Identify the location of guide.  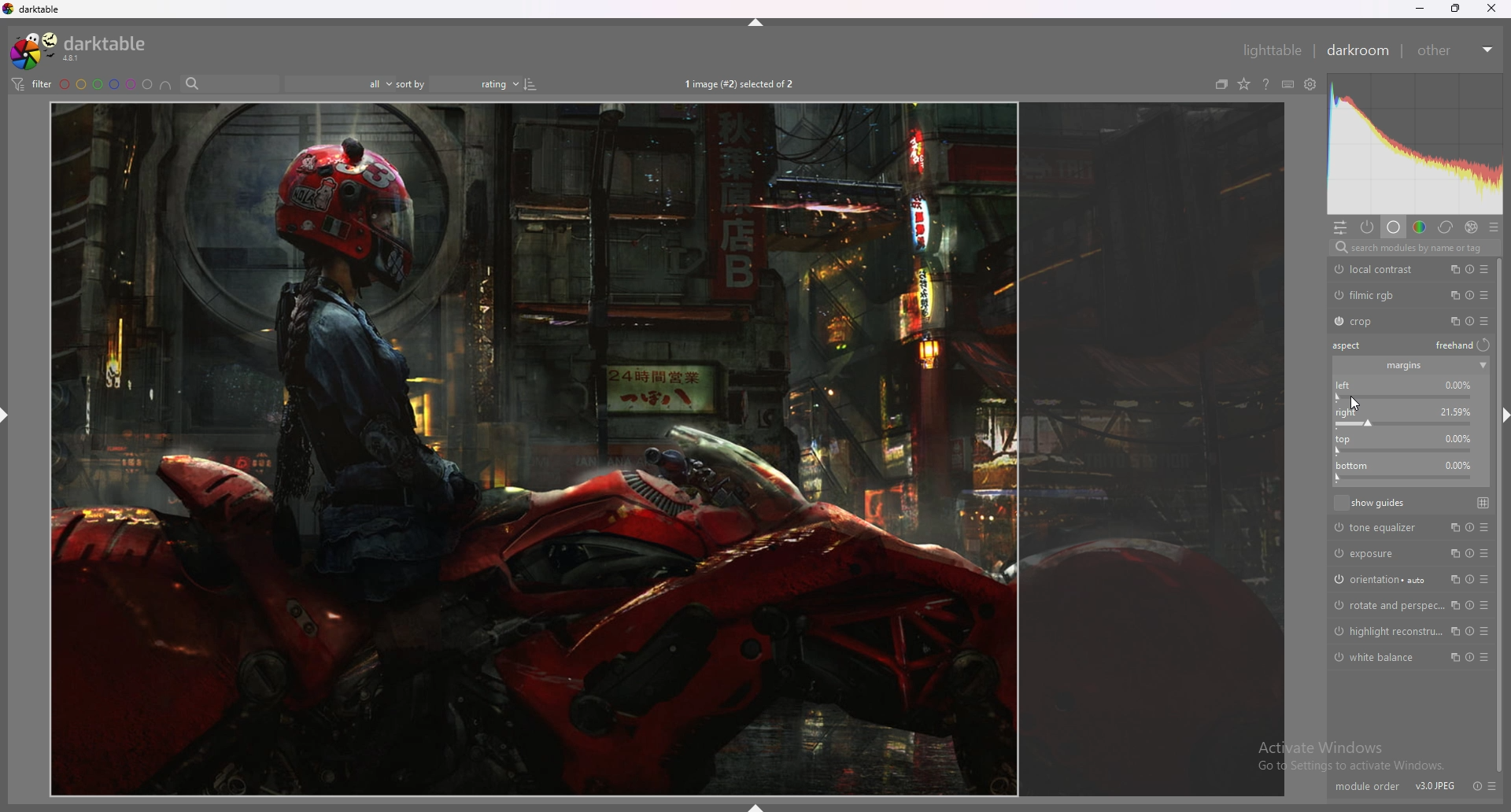
(1484, 502).